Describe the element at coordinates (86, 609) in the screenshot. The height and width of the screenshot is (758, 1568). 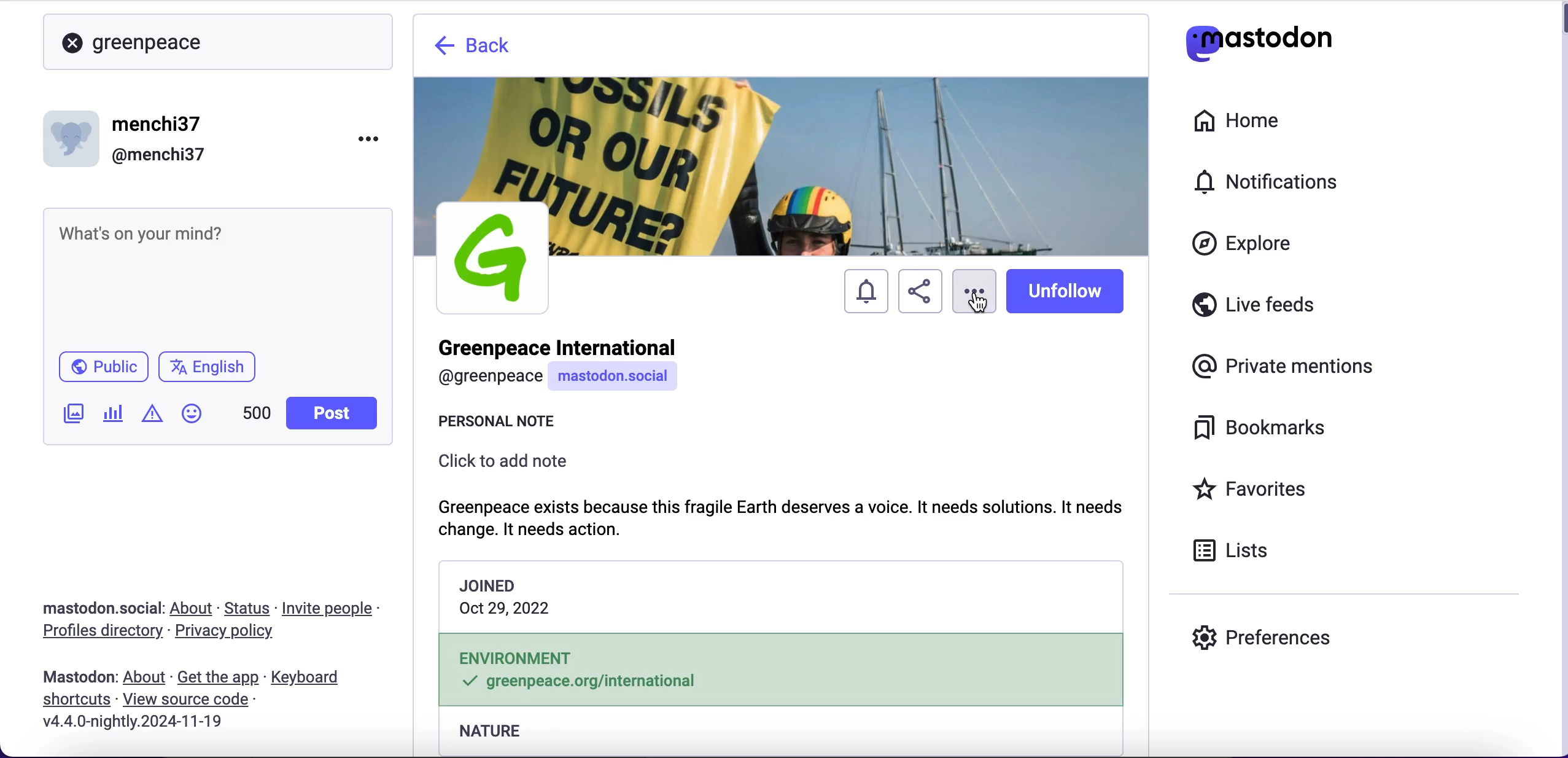
I see `mastodon social` at that location.